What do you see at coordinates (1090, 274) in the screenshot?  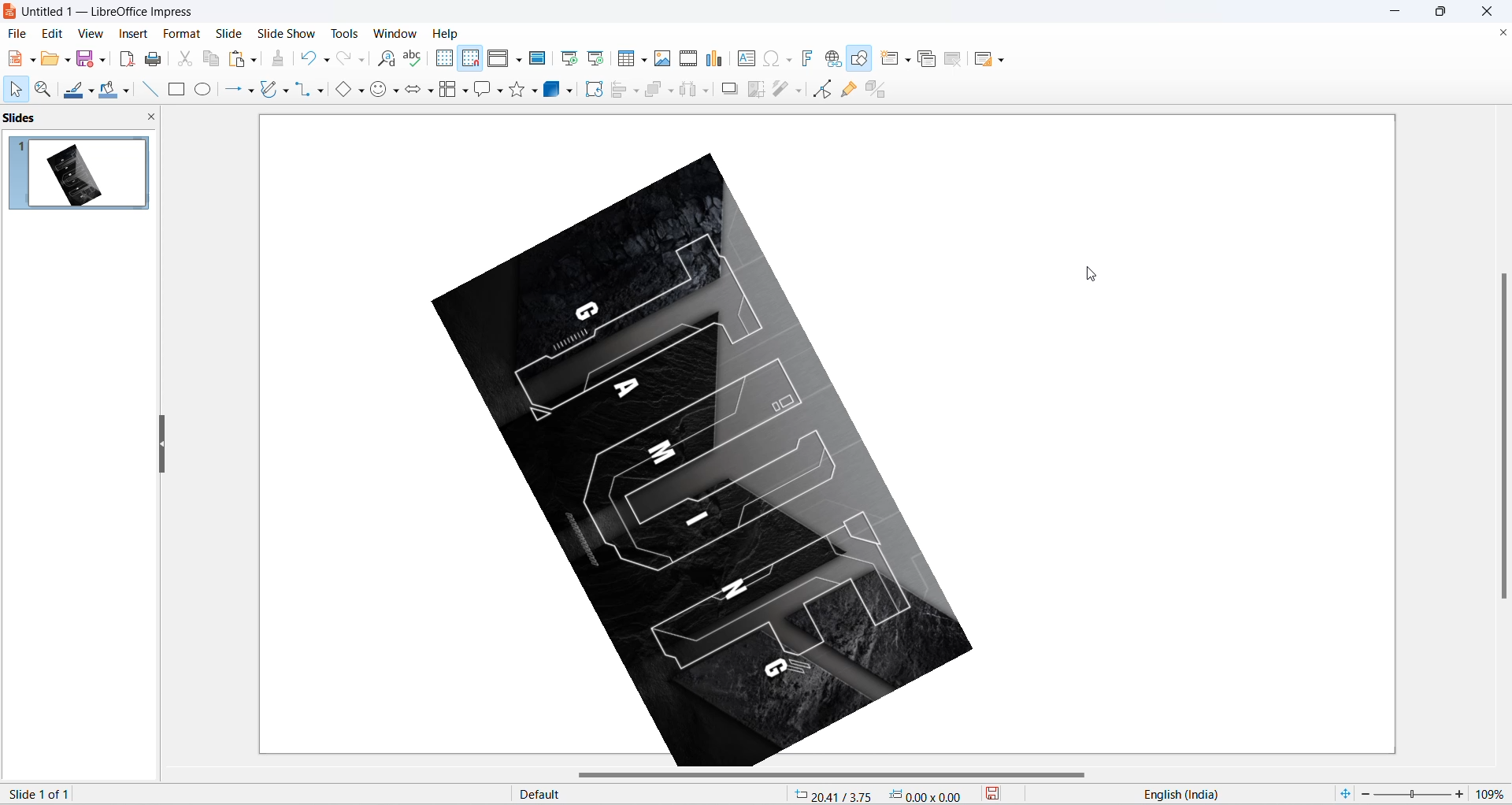 I see `cursor` at bounding box center [1090, 274].